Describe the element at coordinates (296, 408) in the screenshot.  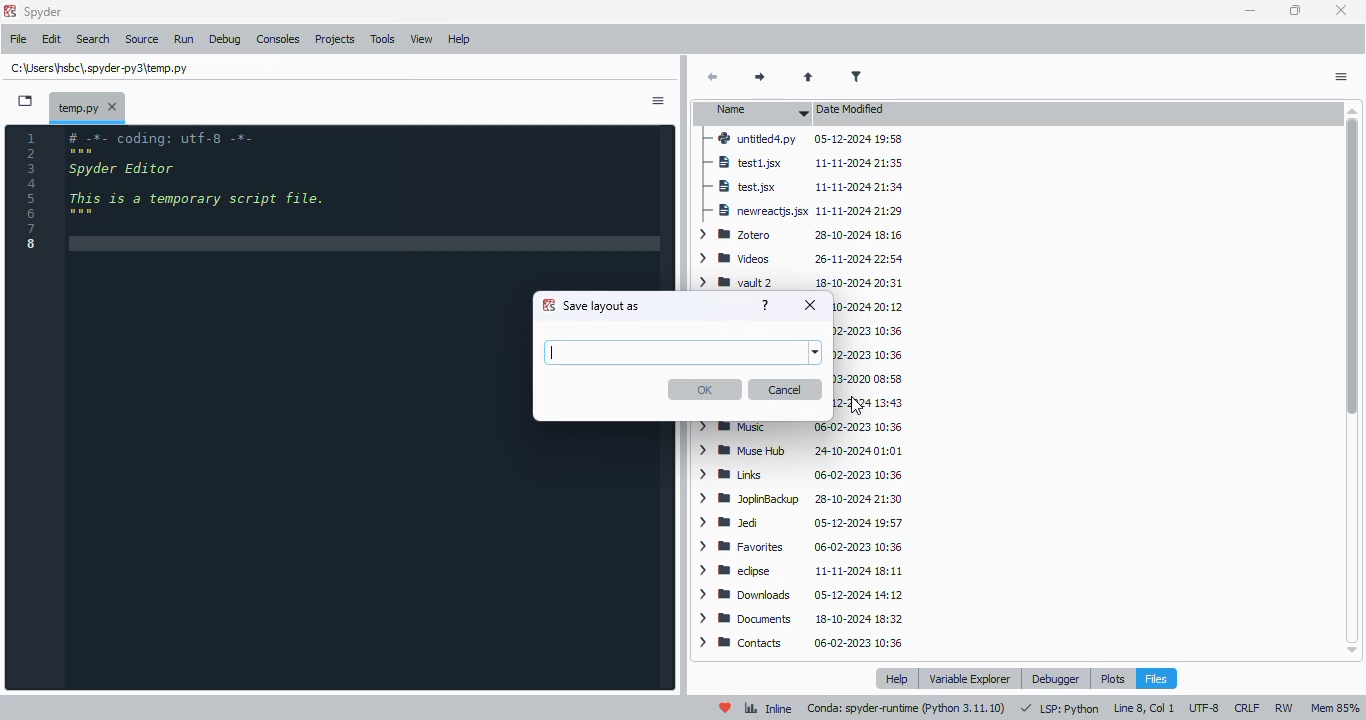
I see `editor` at that location.